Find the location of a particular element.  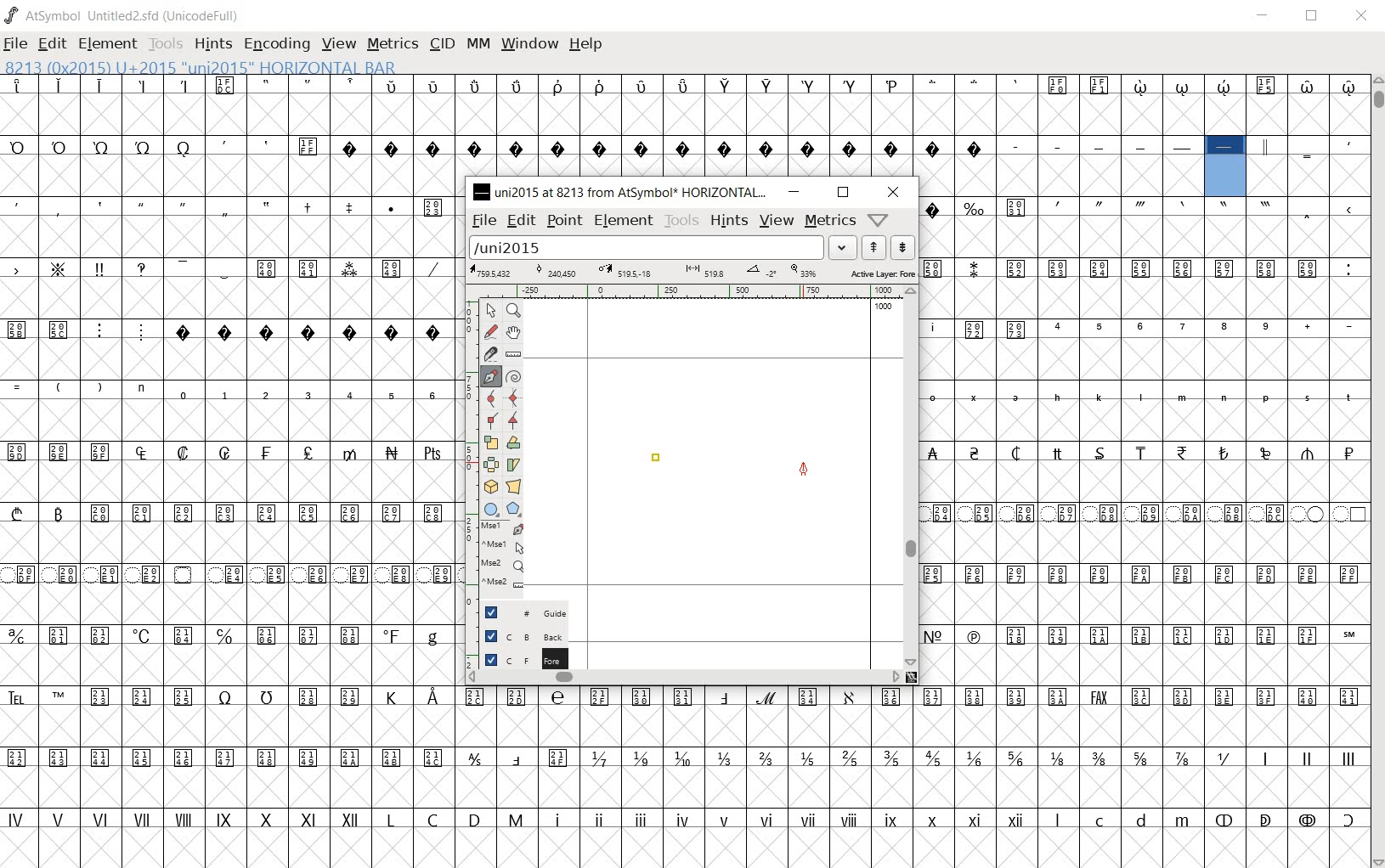

element is located at coordinates (625, 220).